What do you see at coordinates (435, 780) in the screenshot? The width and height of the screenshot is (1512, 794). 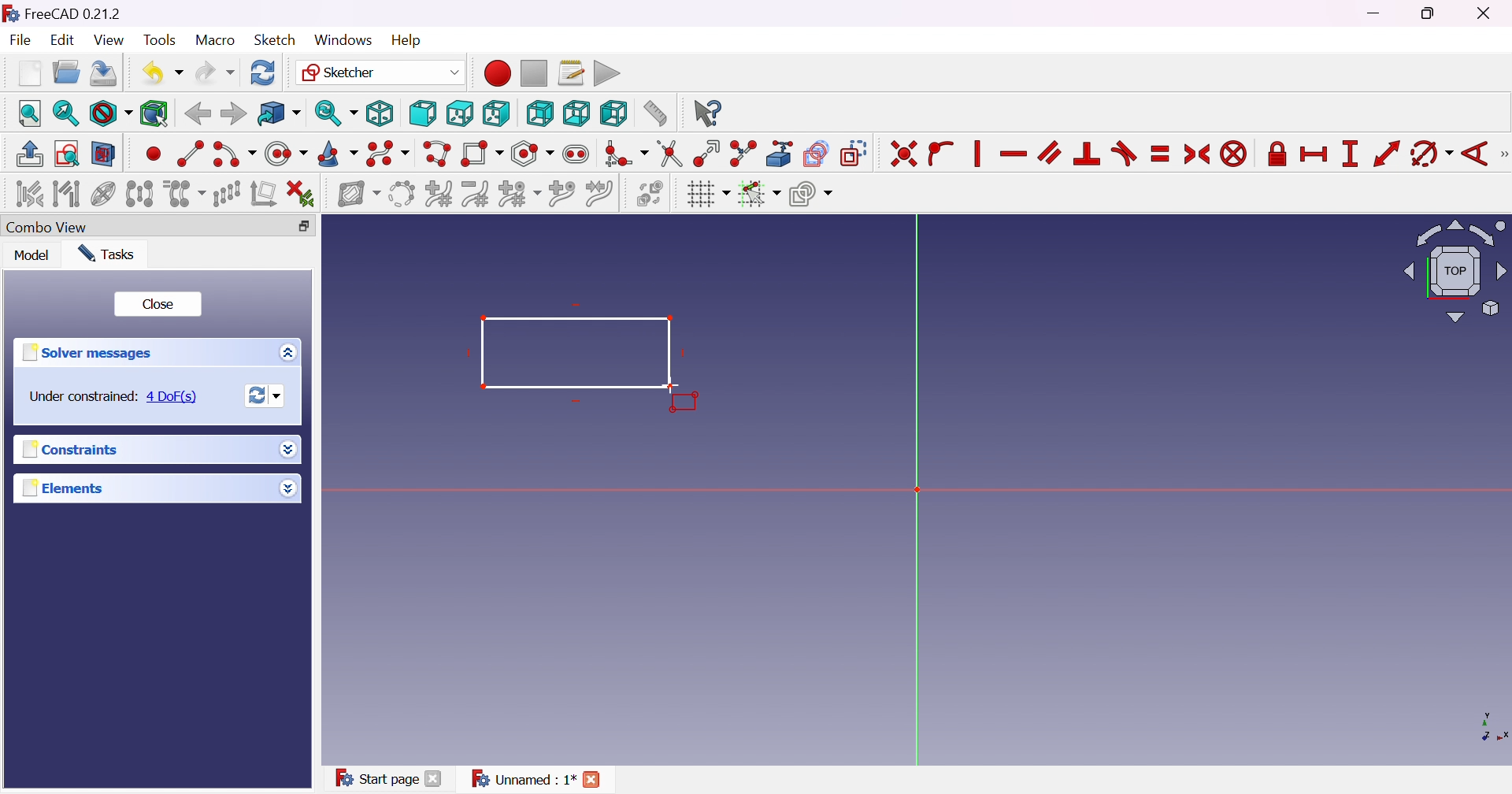 I see `Close` at bounding box center [435, 780].